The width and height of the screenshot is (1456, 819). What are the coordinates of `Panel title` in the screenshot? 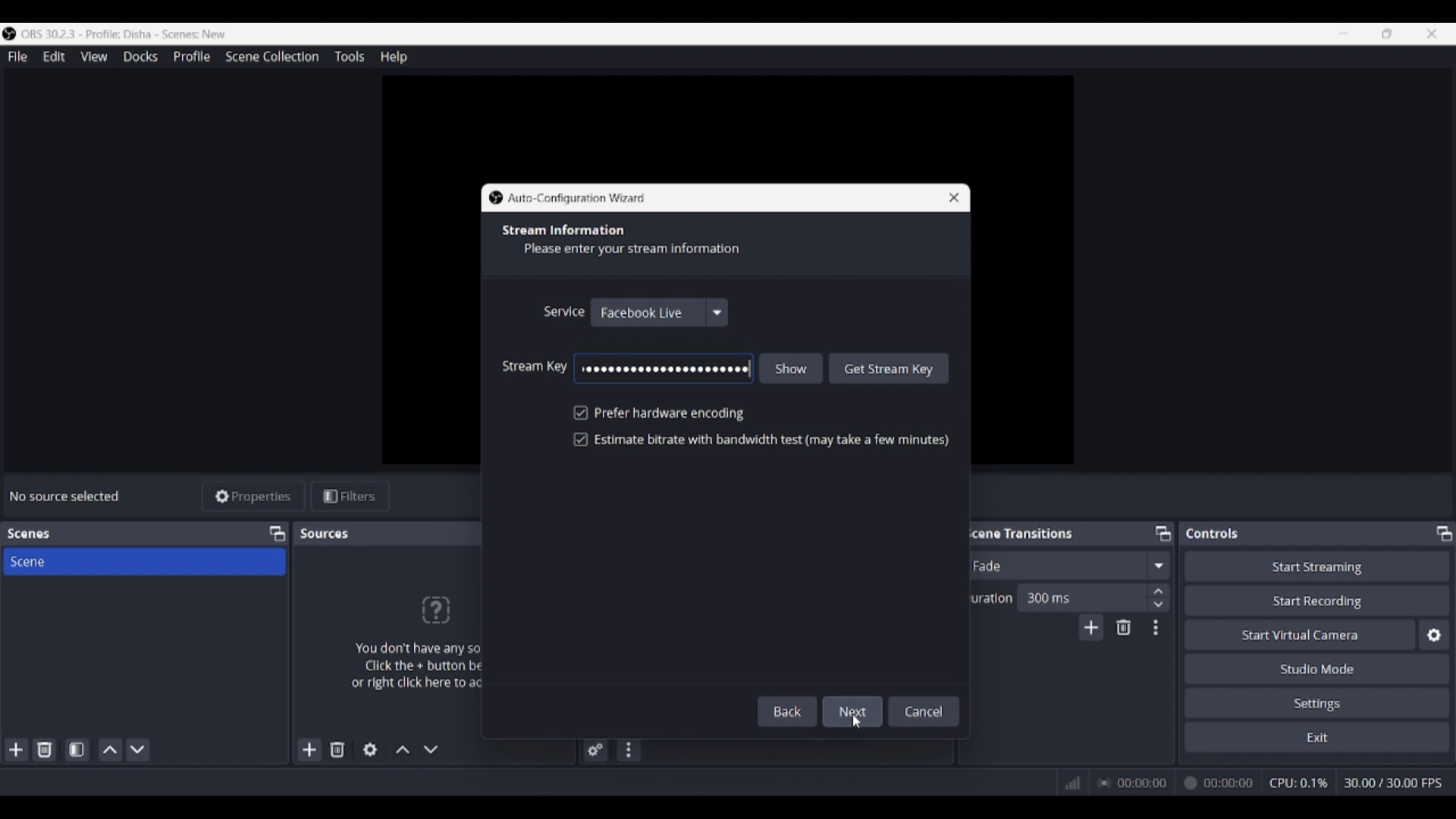 It's located at (1019, 532).